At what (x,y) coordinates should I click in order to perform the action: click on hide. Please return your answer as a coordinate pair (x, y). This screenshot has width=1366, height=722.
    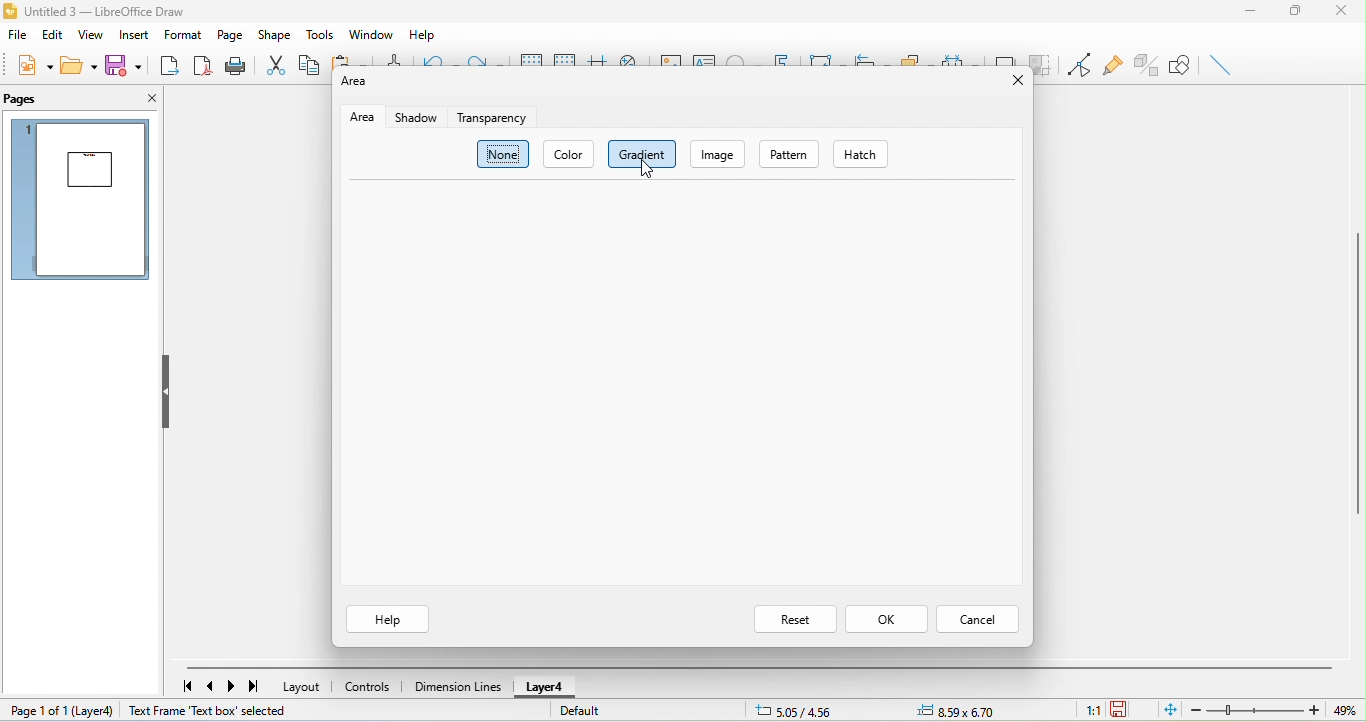
    Looking at the image, I should click on (171, 390).